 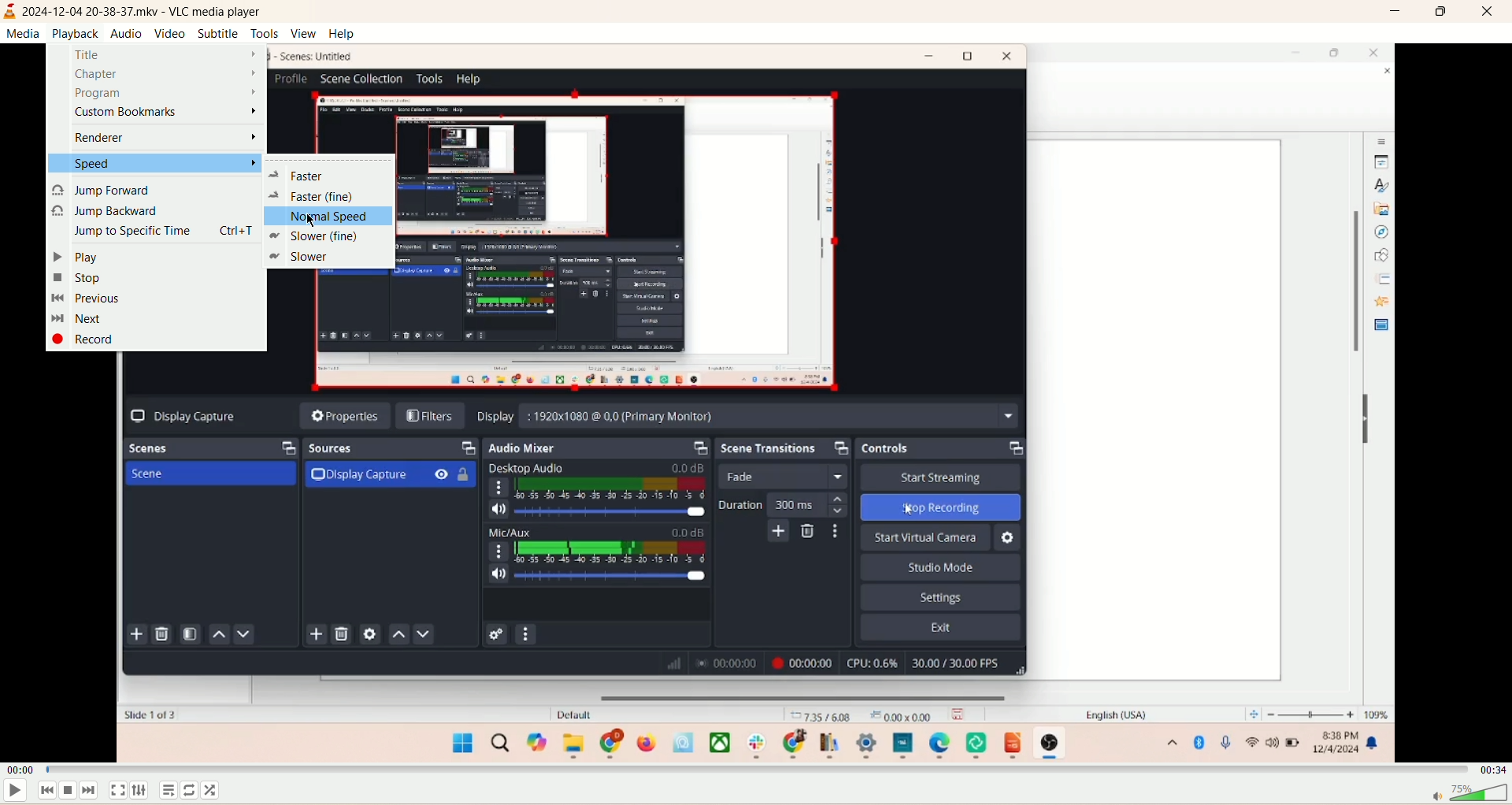 What do you see at coordinates (319, 235) in the screenshot?
I see `slower (fine)` at bounding box center [319, 235].